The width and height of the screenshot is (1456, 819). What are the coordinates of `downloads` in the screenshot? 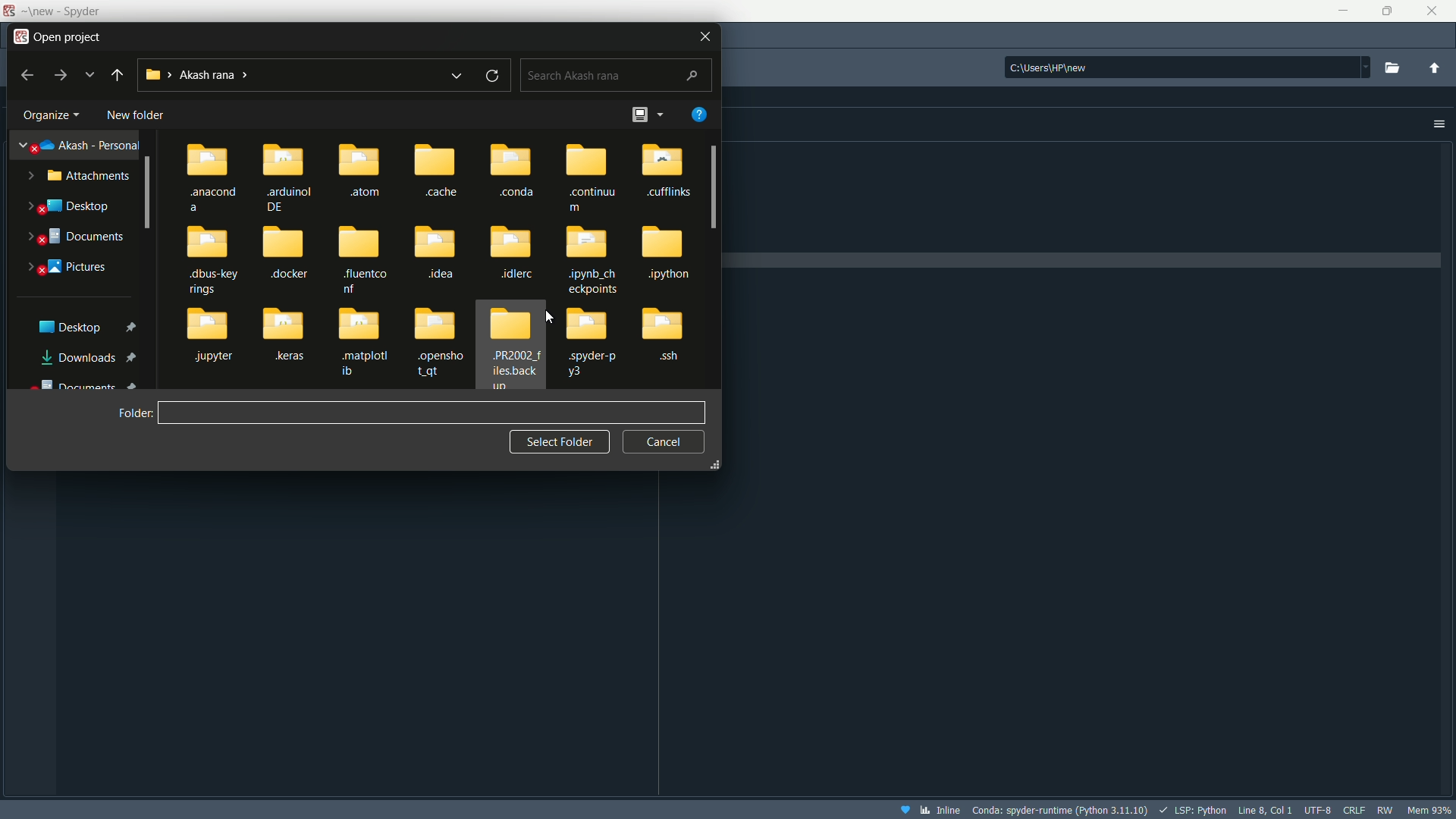 It's located at (93, 356).